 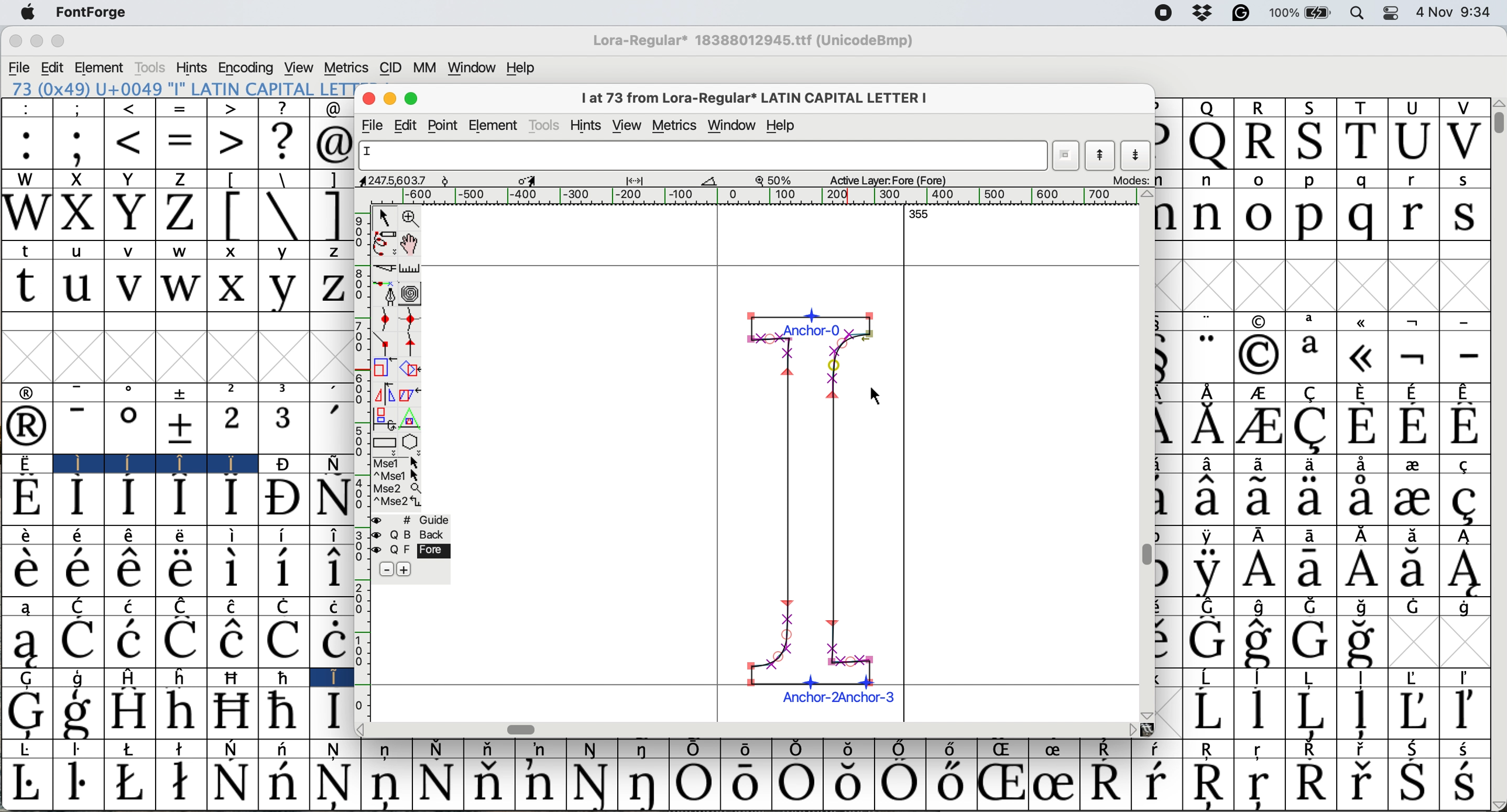 I want to click on zoom in, so click(x=411, y=218).